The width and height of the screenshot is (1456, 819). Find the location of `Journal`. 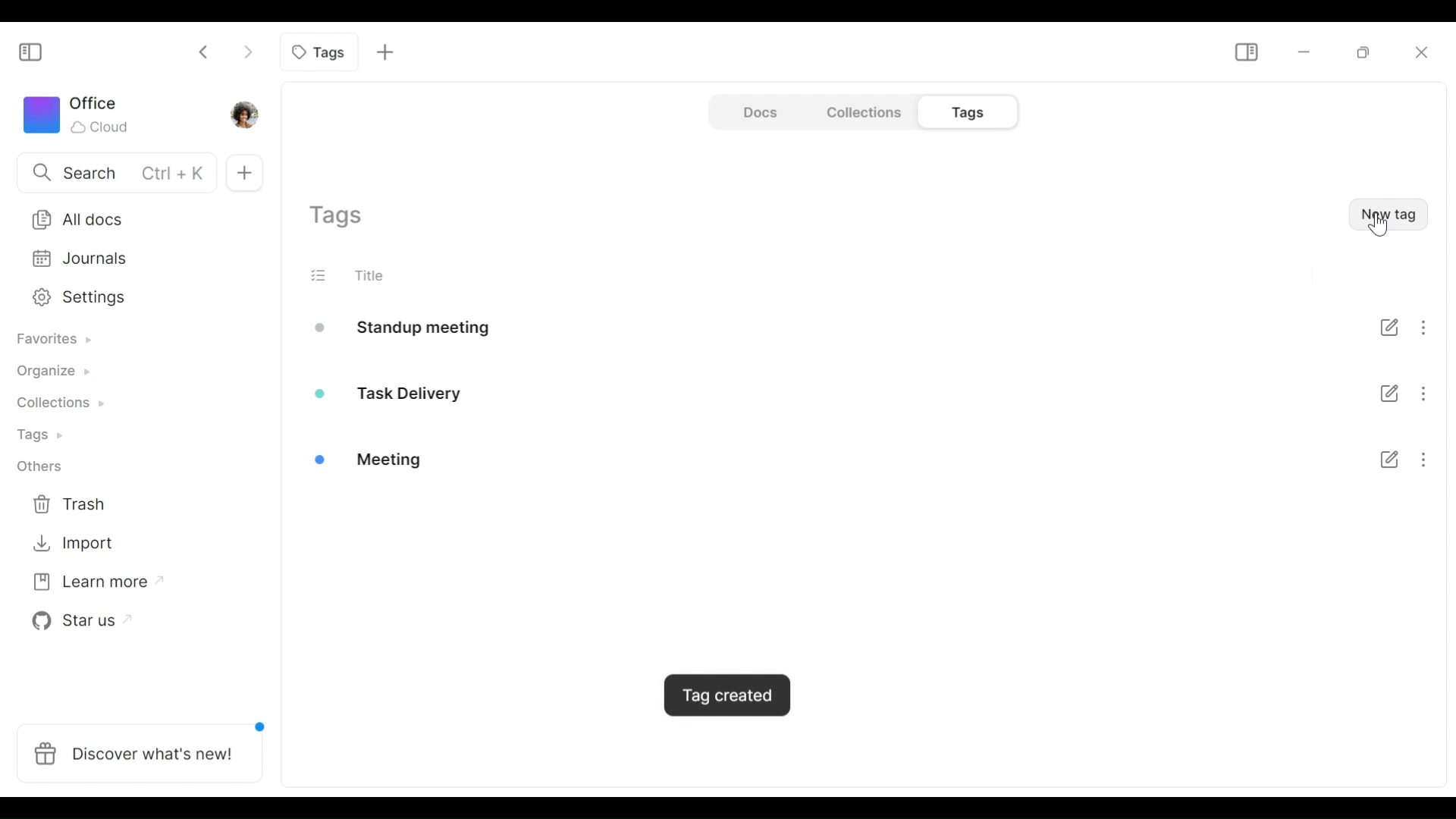

Journal is located at coordinates (133, 262).